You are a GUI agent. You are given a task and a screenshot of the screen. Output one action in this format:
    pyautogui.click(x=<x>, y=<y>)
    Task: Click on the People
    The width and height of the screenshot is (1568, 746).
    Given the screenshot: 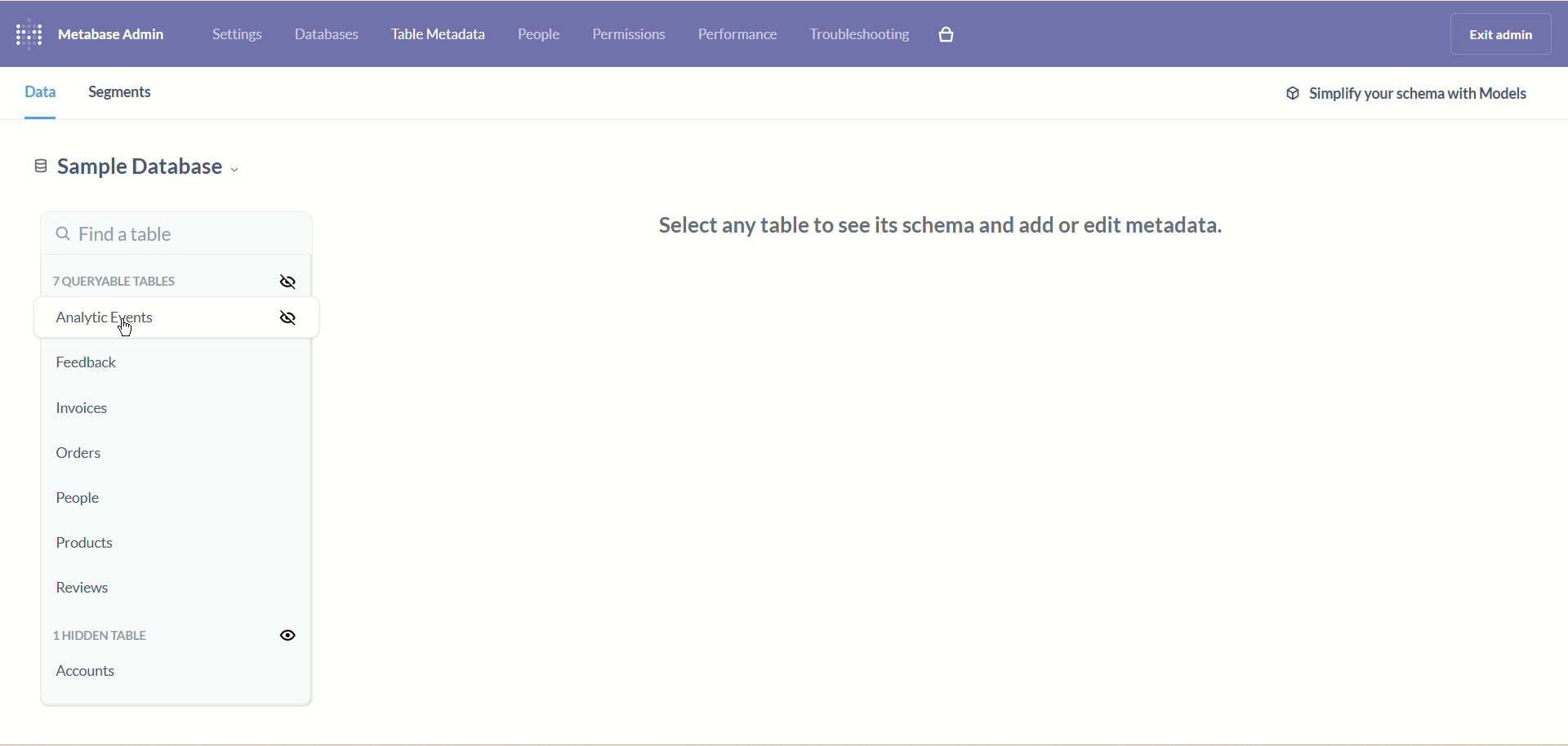 What is the action you would take?
    pyautogui.click(x=74, y=498)
    